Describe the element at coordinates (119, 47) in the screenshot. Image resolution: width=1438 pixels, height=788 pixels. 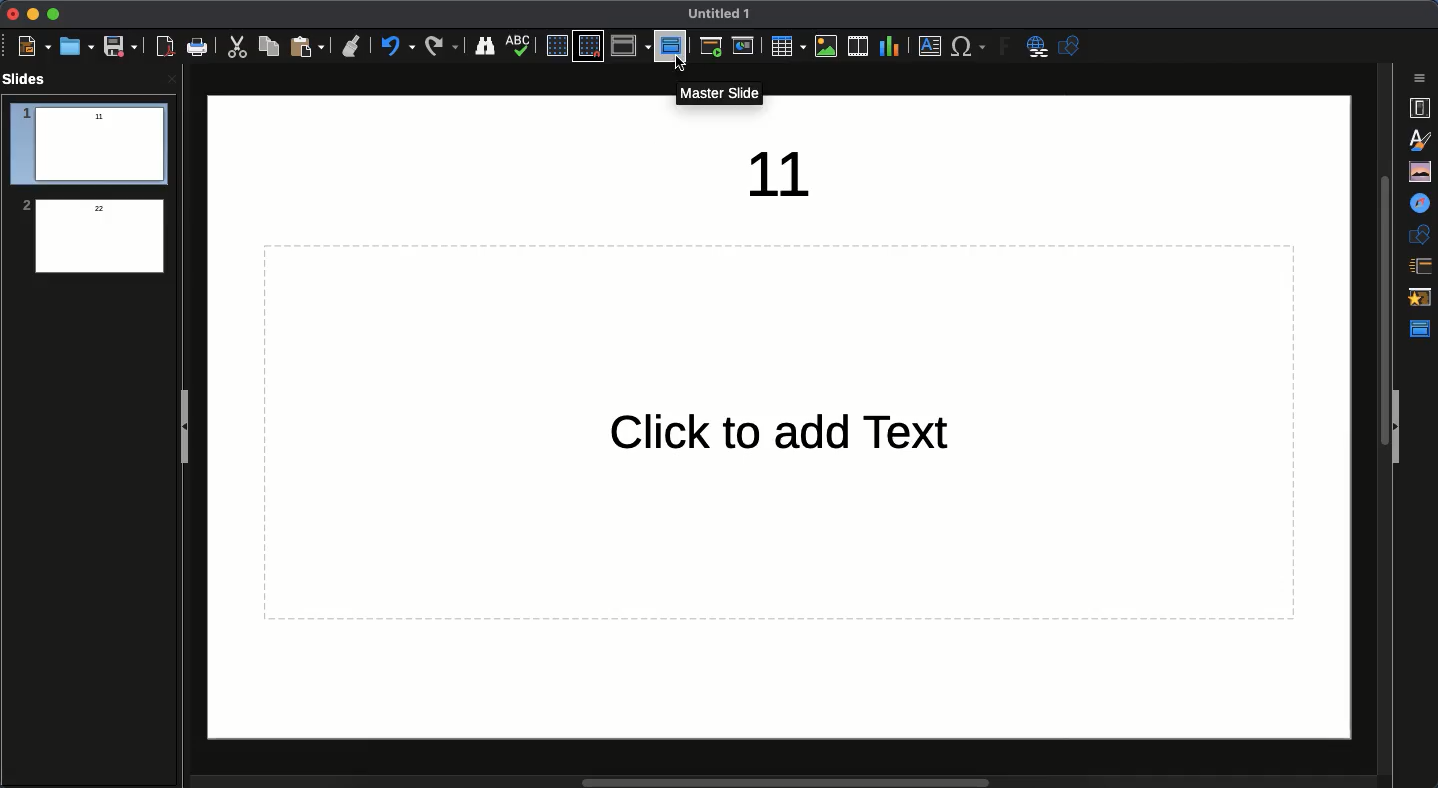
I see `Save` at that location.